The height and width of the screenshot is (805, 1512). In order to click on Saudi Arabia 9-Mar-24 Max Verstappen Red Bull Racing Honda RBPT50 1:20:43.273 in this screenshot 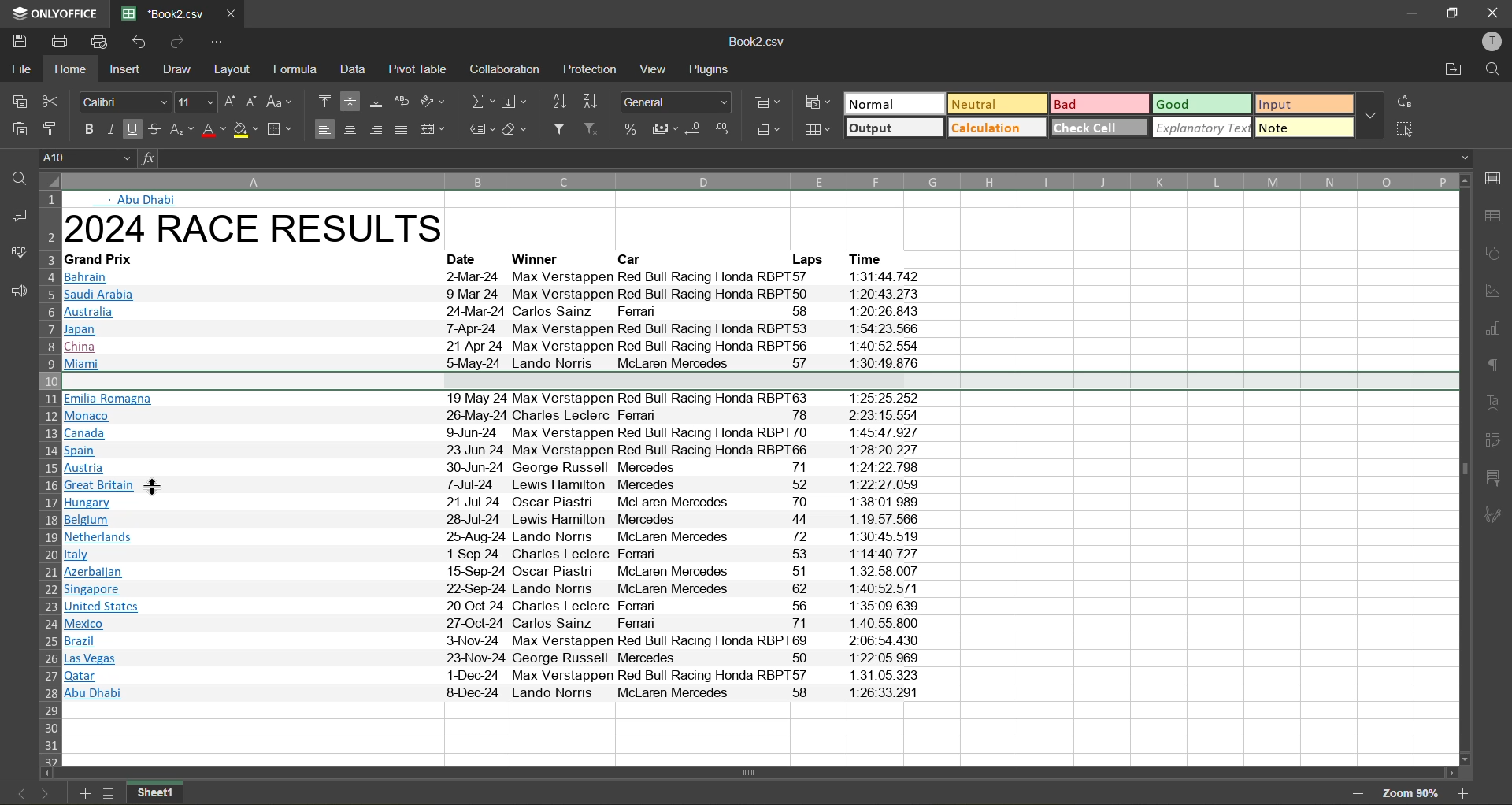, I will do `click(497, 295)`.